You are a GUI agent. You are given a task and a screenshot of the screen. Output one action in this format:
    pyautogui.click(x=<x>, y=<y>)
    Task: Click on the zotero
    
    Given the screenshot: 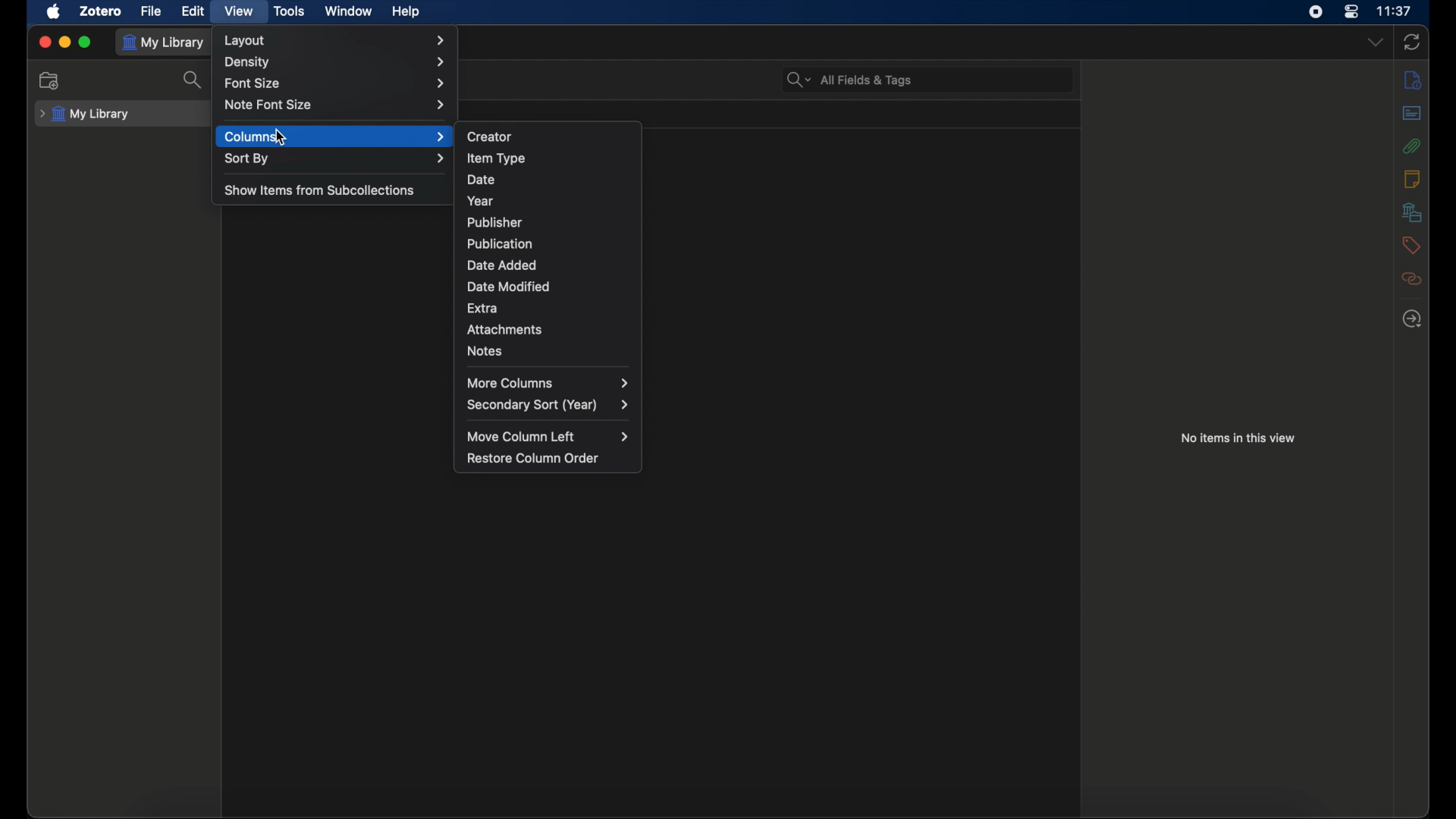 What is the action you would take?
    pyautogui.click(x=101, y=11)
    